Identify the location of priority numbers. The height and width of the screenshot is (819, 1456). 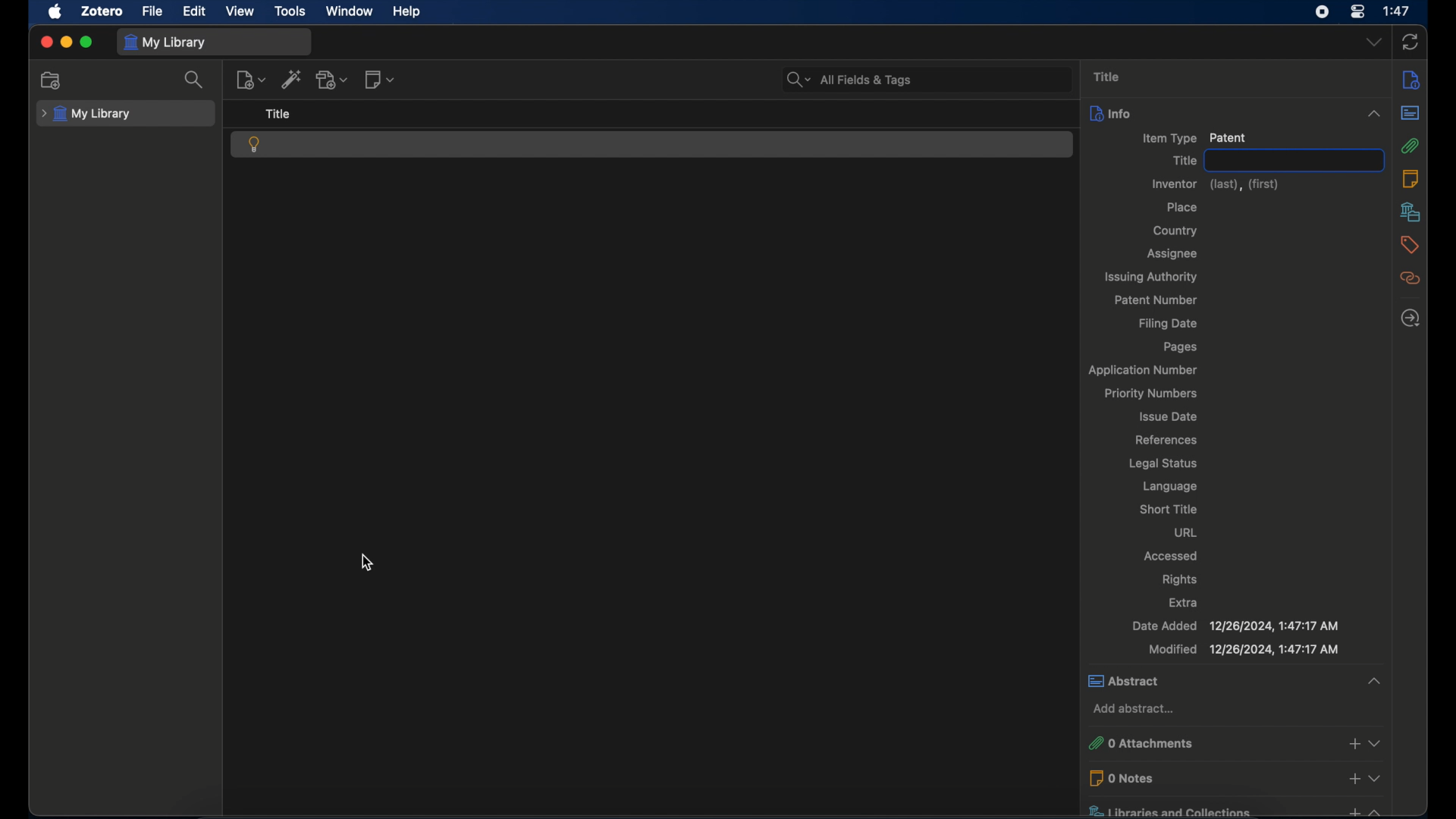
(1152, 394).